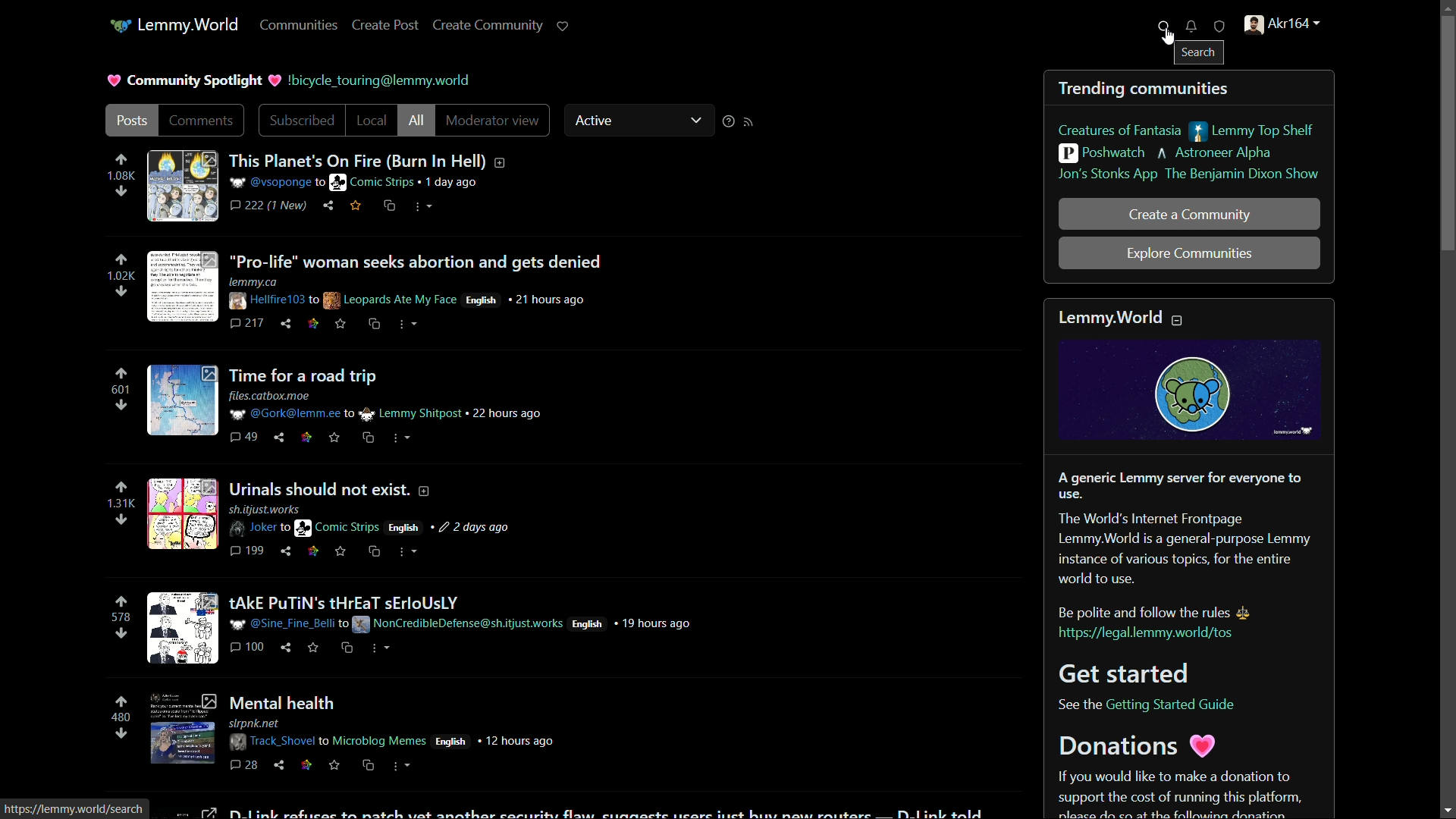 The image size is (1456, 819). I want to click on upvote, so click(122, 259).